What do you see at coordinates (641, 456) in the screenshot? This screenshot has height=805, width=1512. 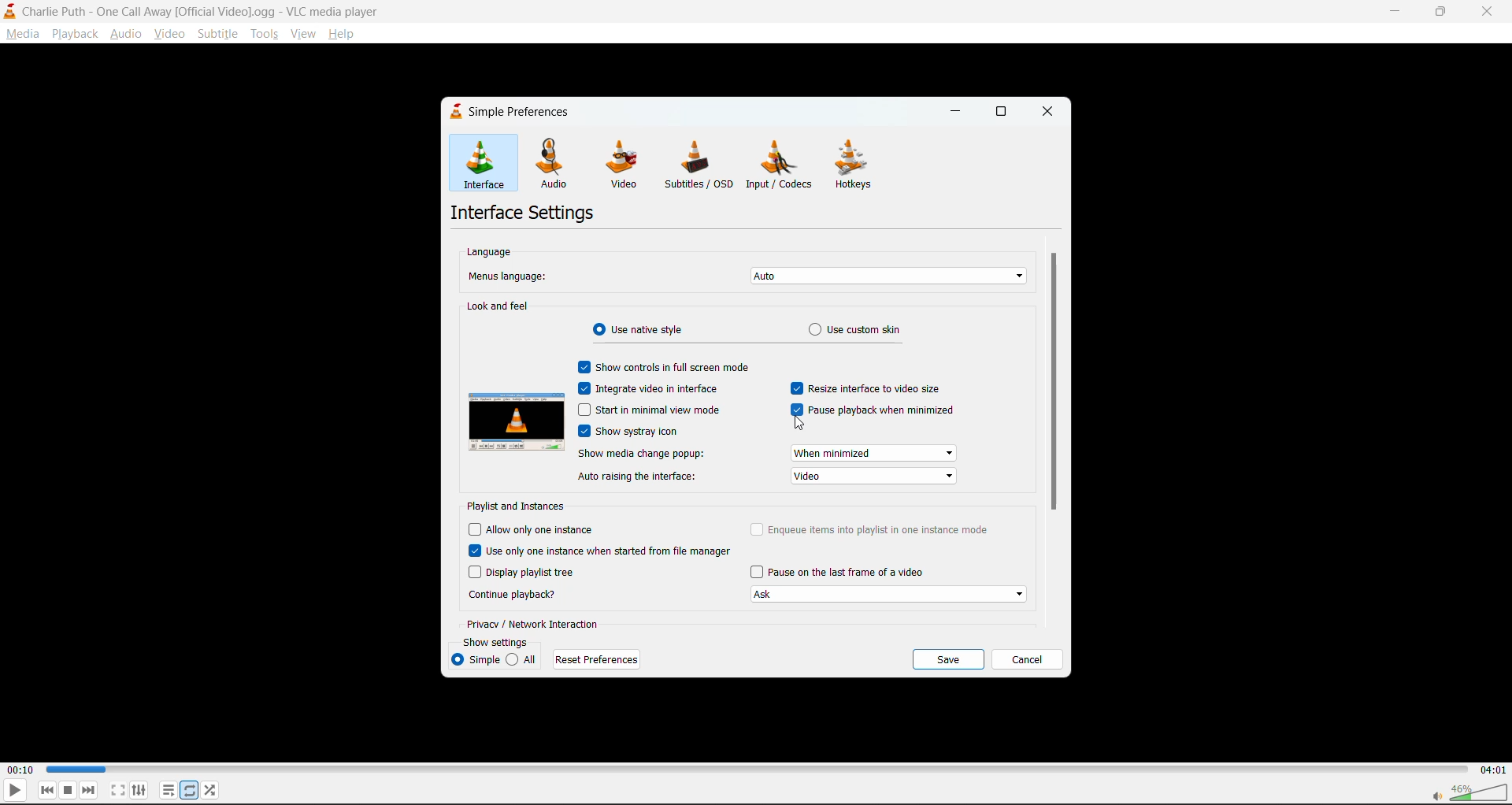 I see `show media change popup` at bounding box center [641, 456].